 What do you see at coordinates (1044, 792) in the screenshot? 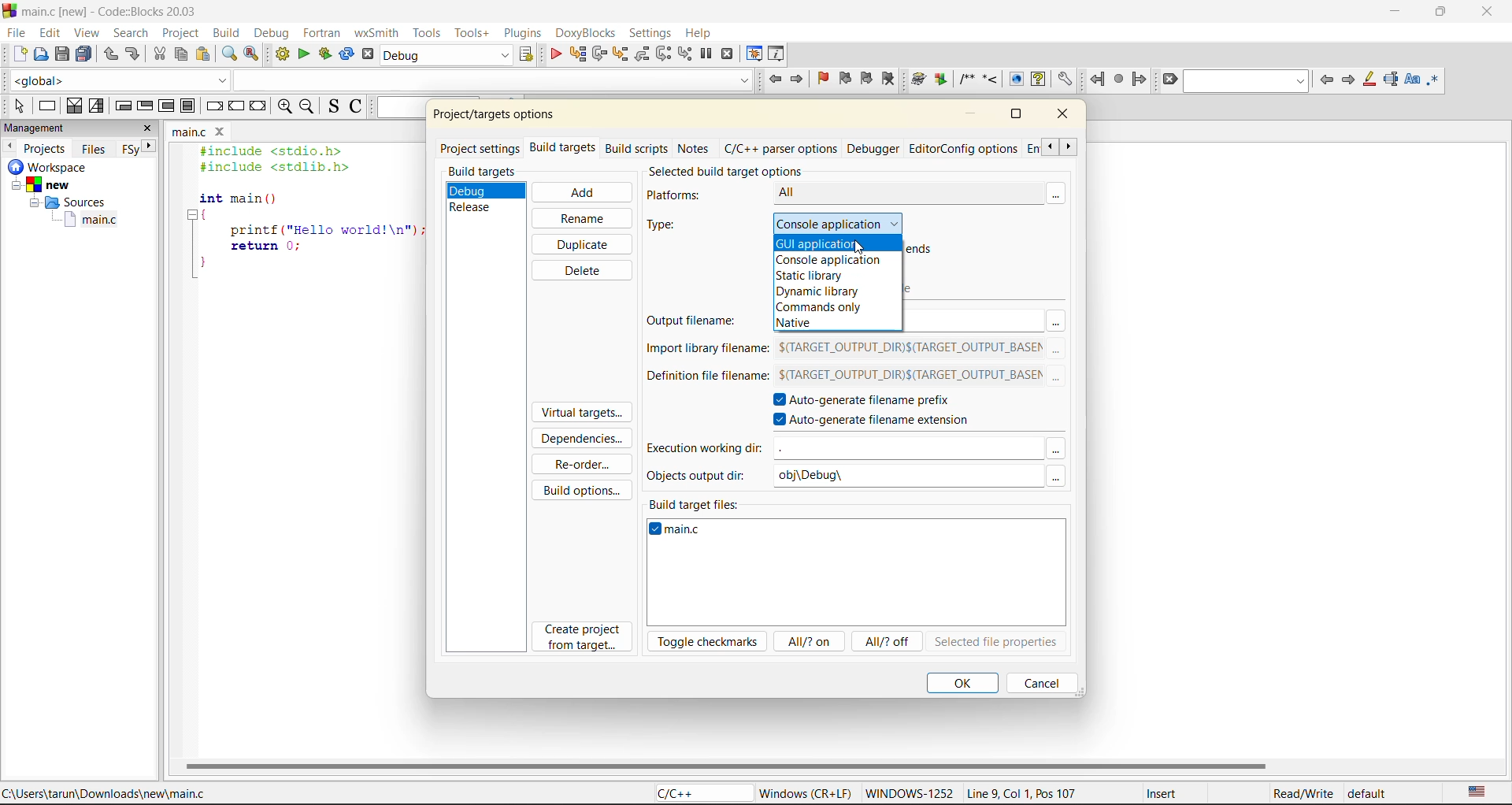
I see `Line 9, Col 1, Pos 107` at bounding box center [1044, 792].